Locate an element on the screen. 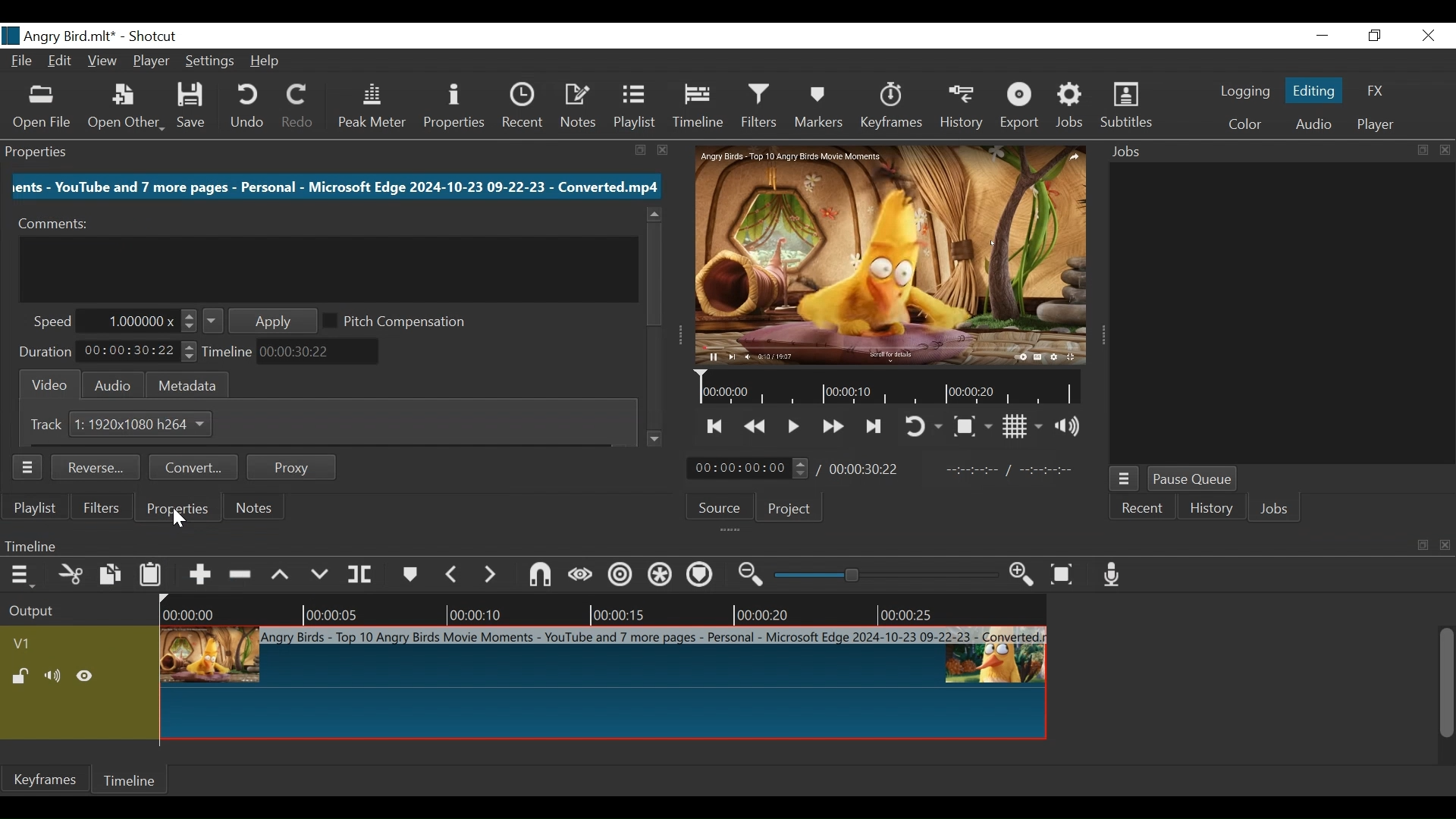 Image resolution: width=1456 pixels, height=819 pixels. Shotcut is located at coordinates (152, 37).